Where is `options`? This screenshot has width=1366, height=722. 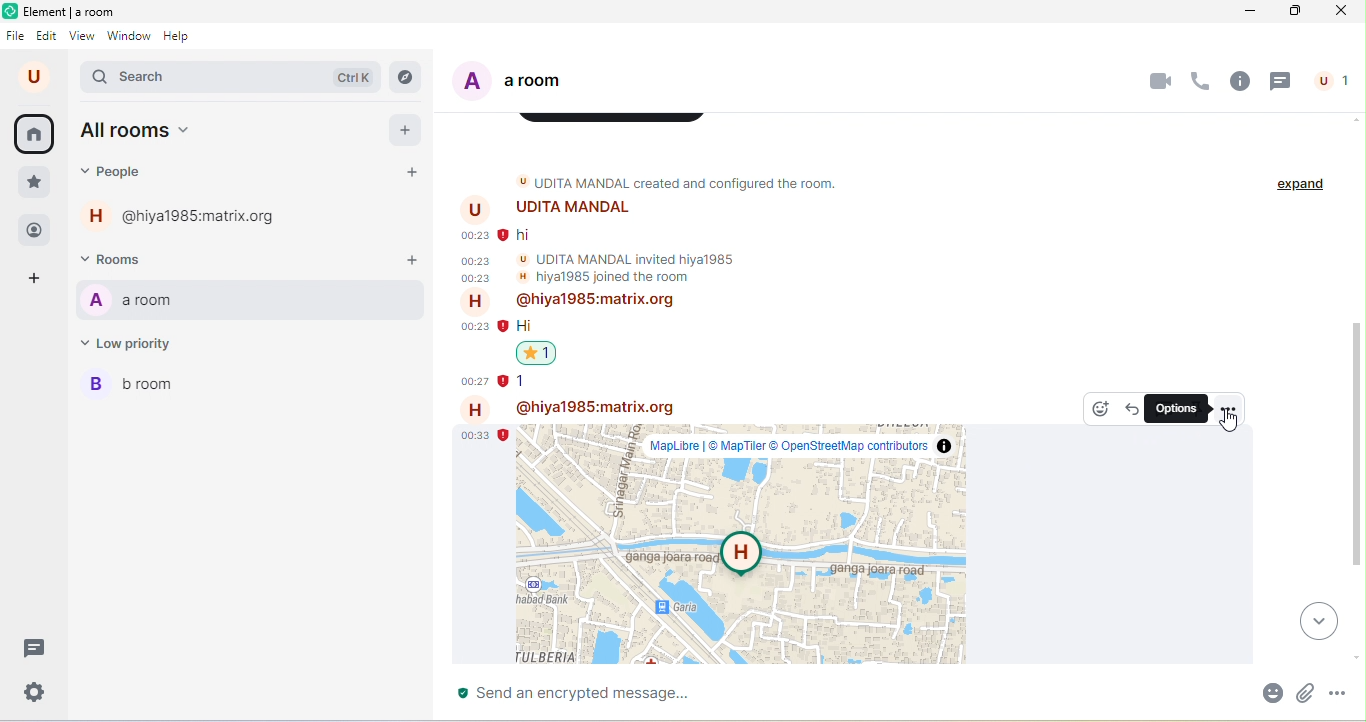 options is located at coordinates (1227, 407).